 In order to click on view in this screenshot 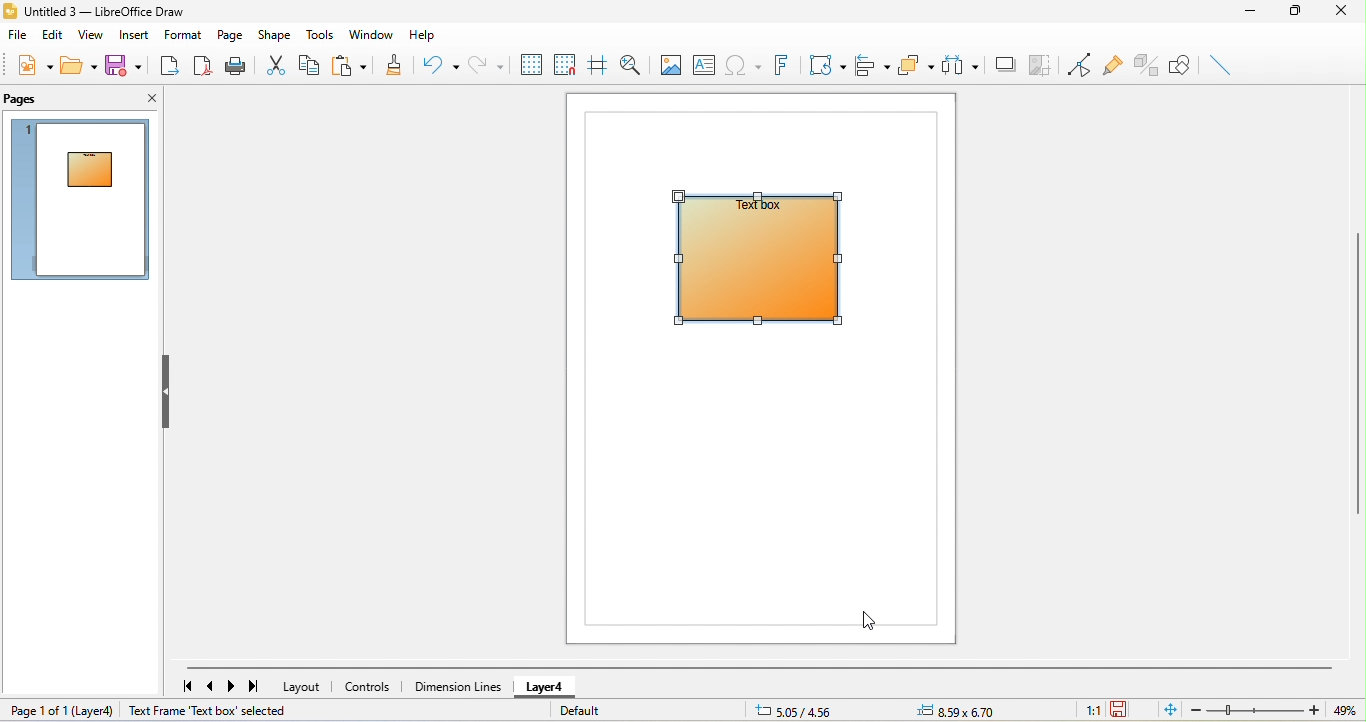, I will do `click(92, 35)`.